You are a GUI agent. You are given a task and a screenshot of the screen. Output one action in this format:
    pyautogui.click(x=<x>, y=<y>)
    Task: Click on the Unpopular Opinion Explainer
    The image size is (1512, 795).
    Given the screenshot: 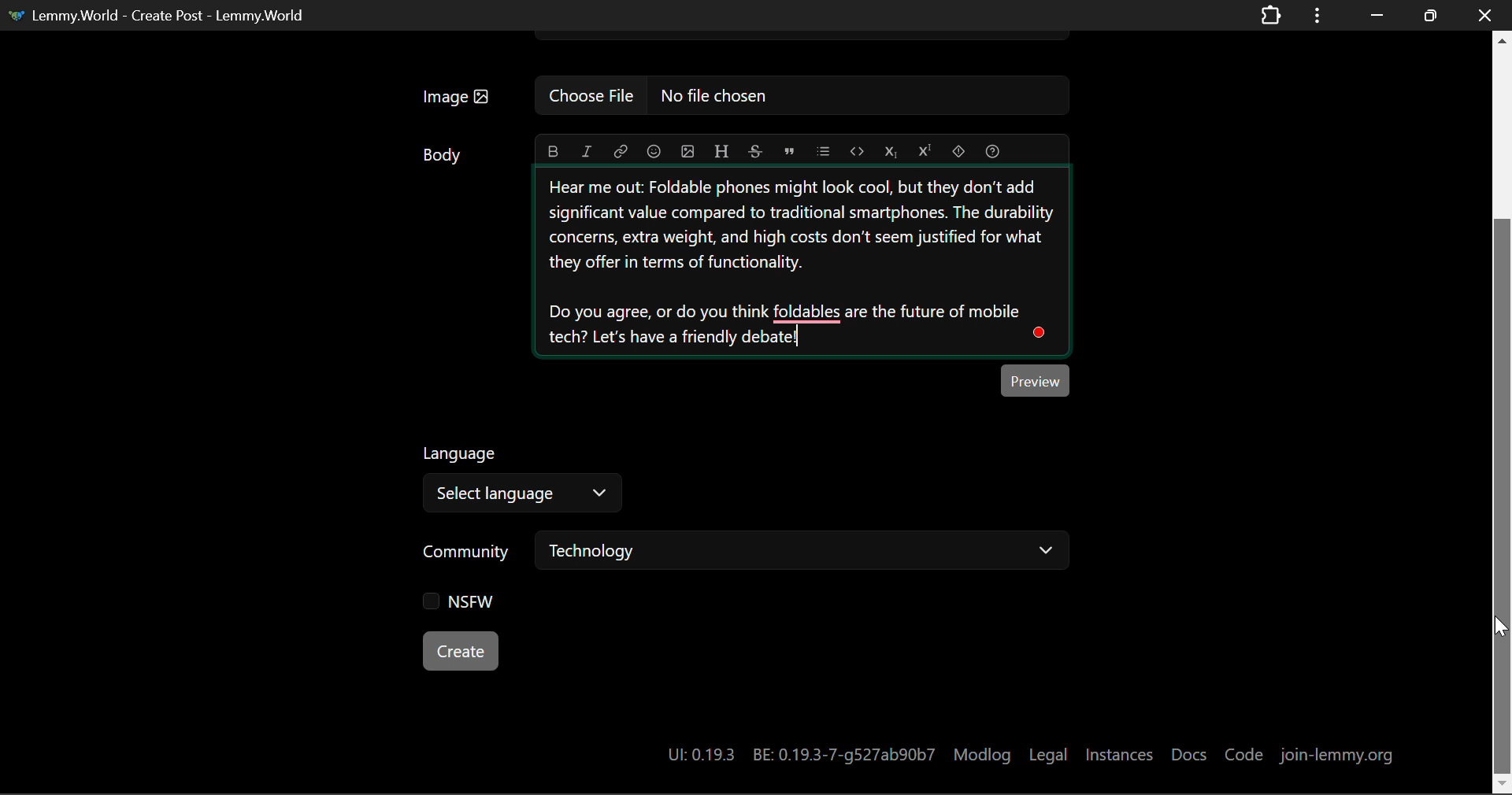 What is the action you would take?
    pyautogui.click(x=803, y=262)
    